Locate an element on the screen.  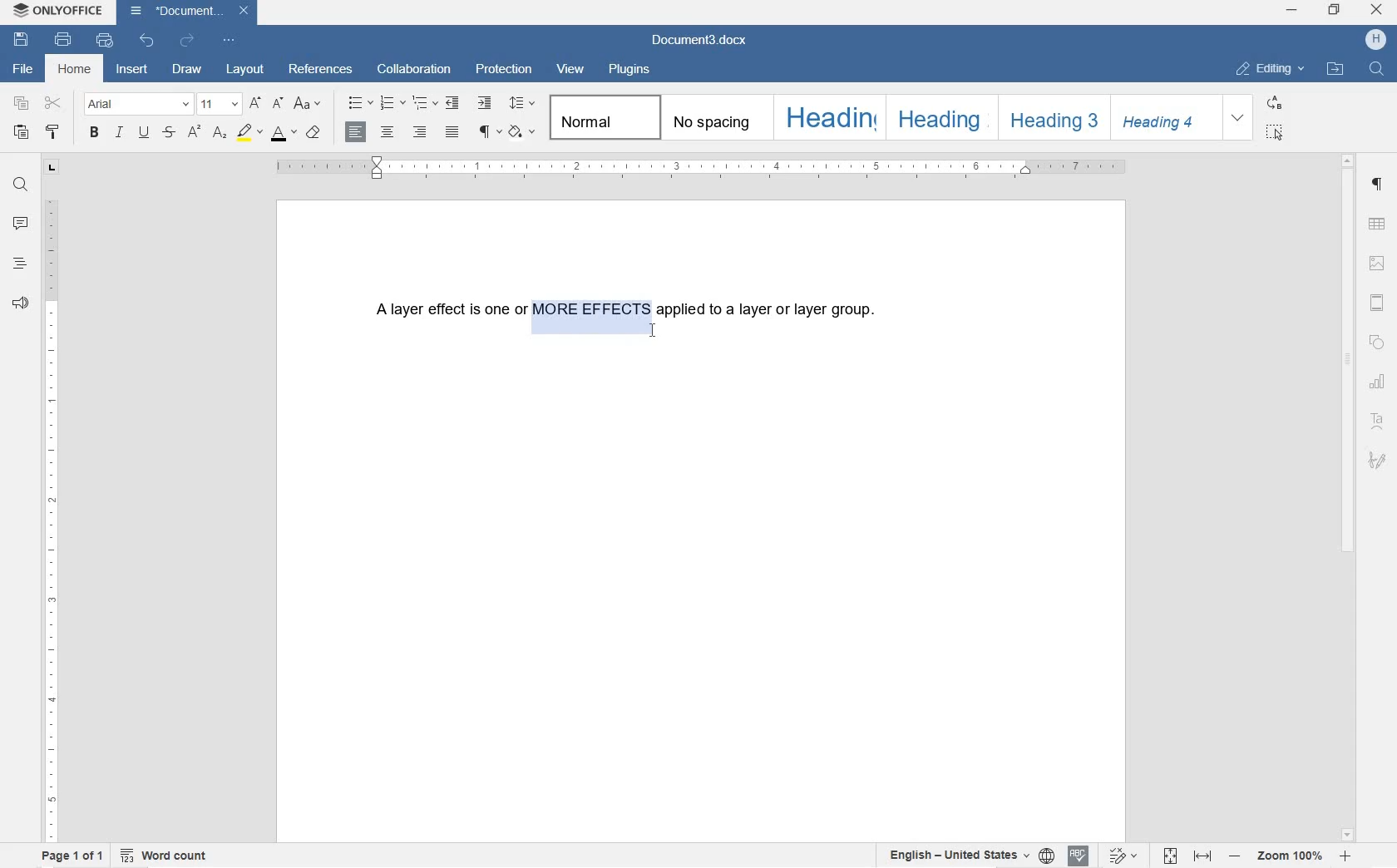
HIGHLIGHT COLOR is located at coordinates (249, 132).